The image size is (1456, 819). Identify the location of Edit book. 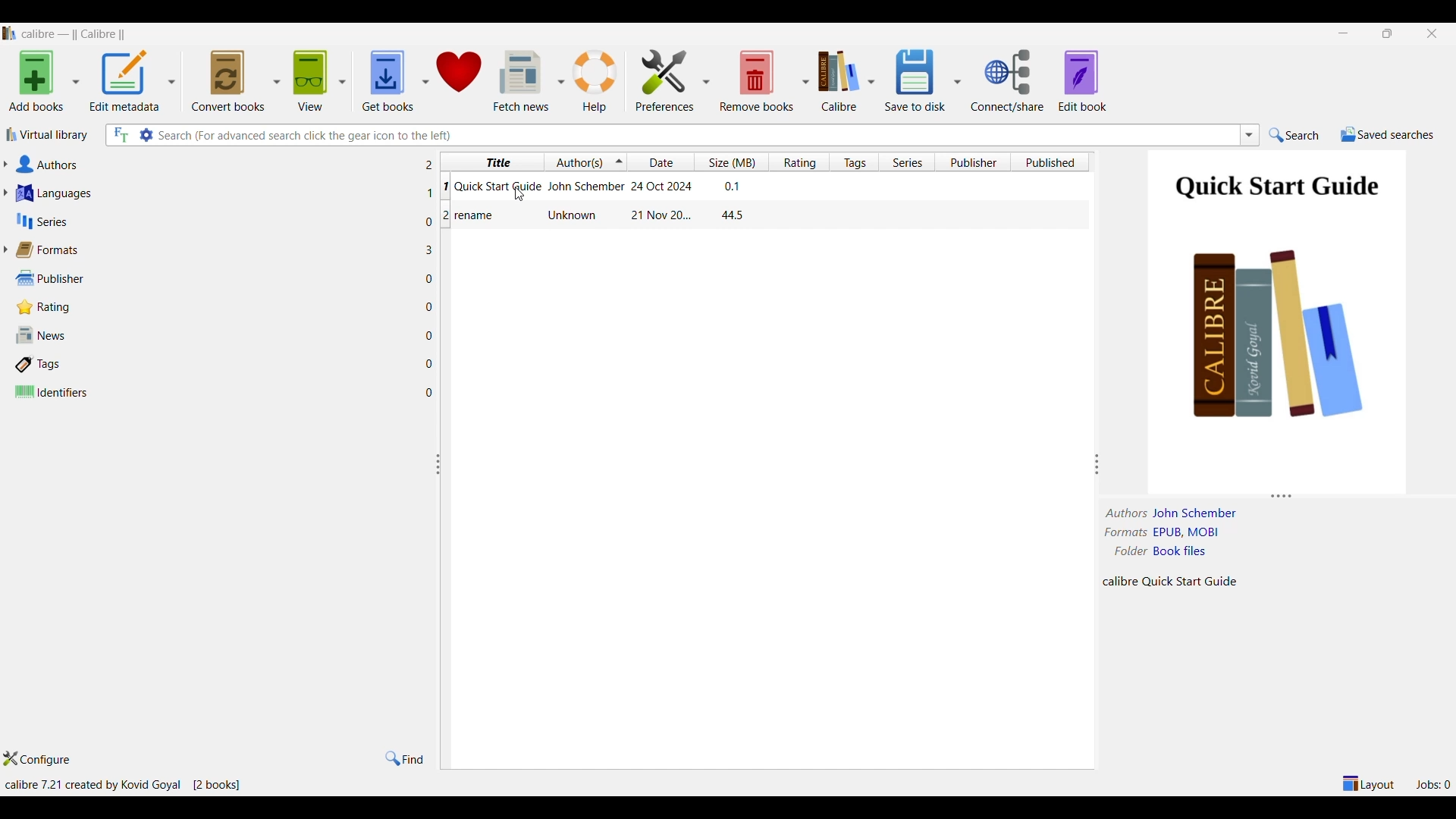
(1082, 81).